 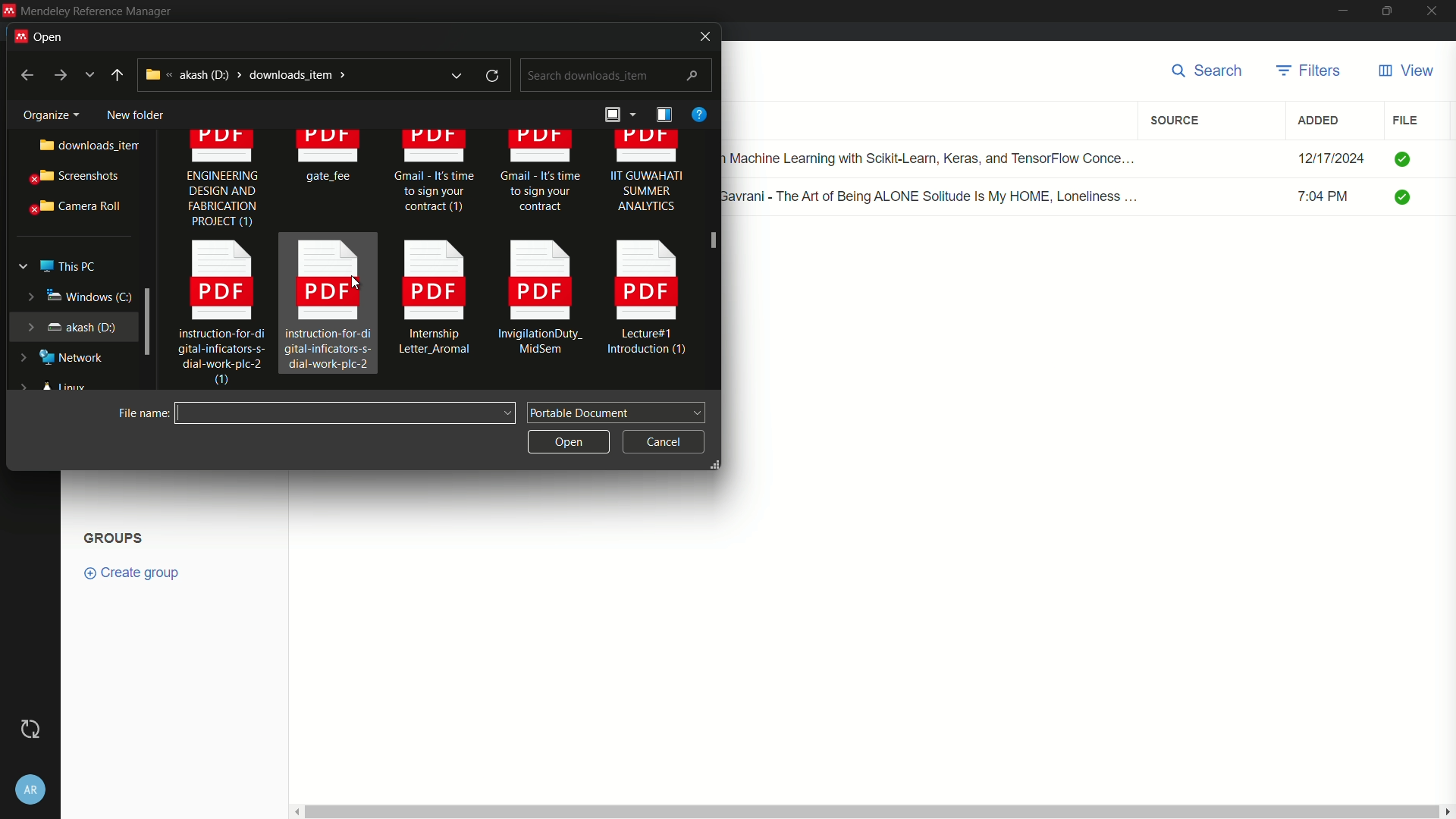 What do you see at coordinates (77, 146) in the screenshot?
I see `downloads_item..` at bounding box center [77, 146].